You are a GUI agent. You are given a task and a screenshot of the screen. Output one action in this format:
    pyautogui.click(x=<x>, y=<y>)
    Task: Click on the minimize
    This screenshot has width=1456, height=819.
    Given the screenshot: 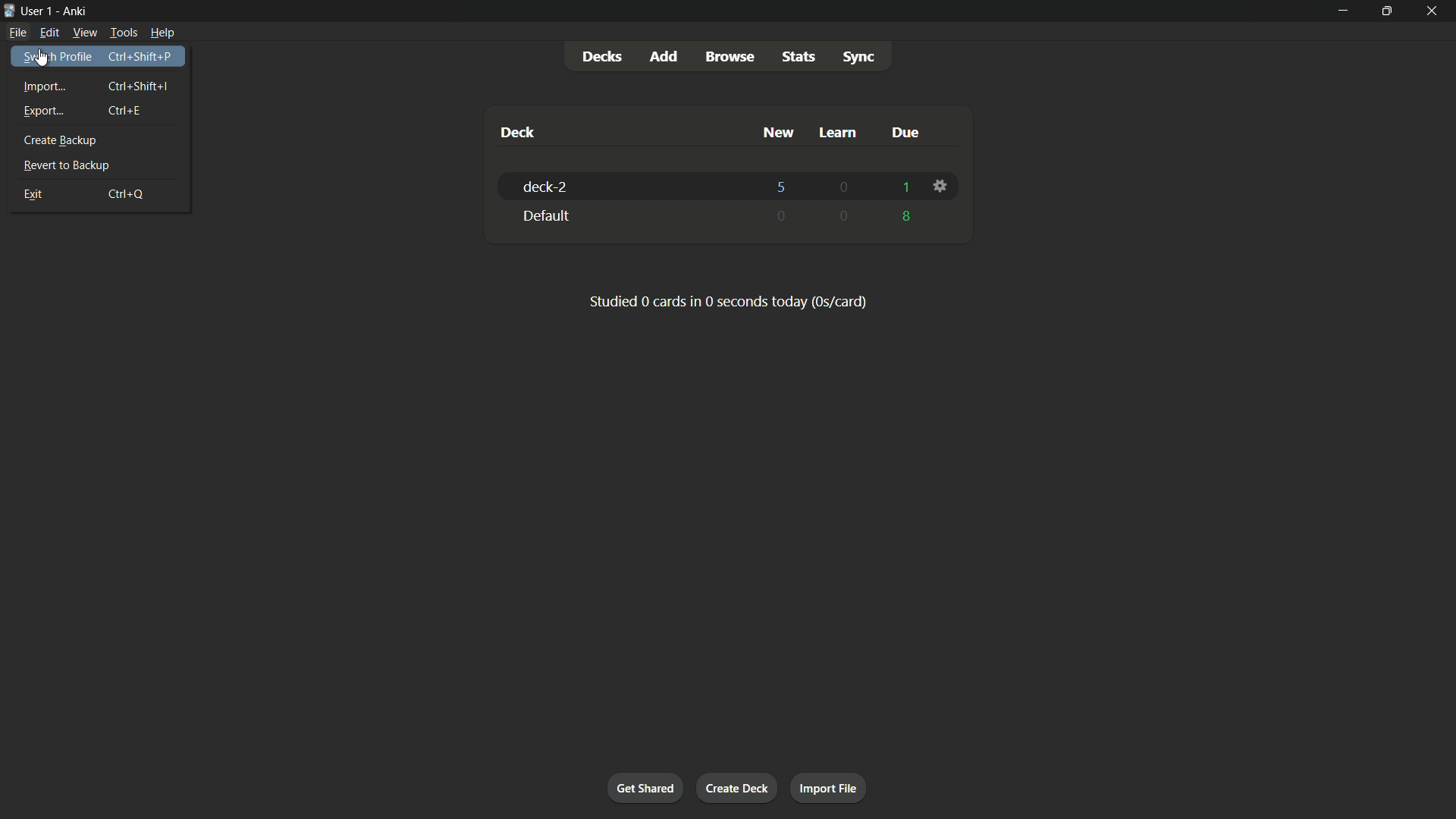 What is the action you would take?
    pyautogui.click(x=1343, y=11)
    